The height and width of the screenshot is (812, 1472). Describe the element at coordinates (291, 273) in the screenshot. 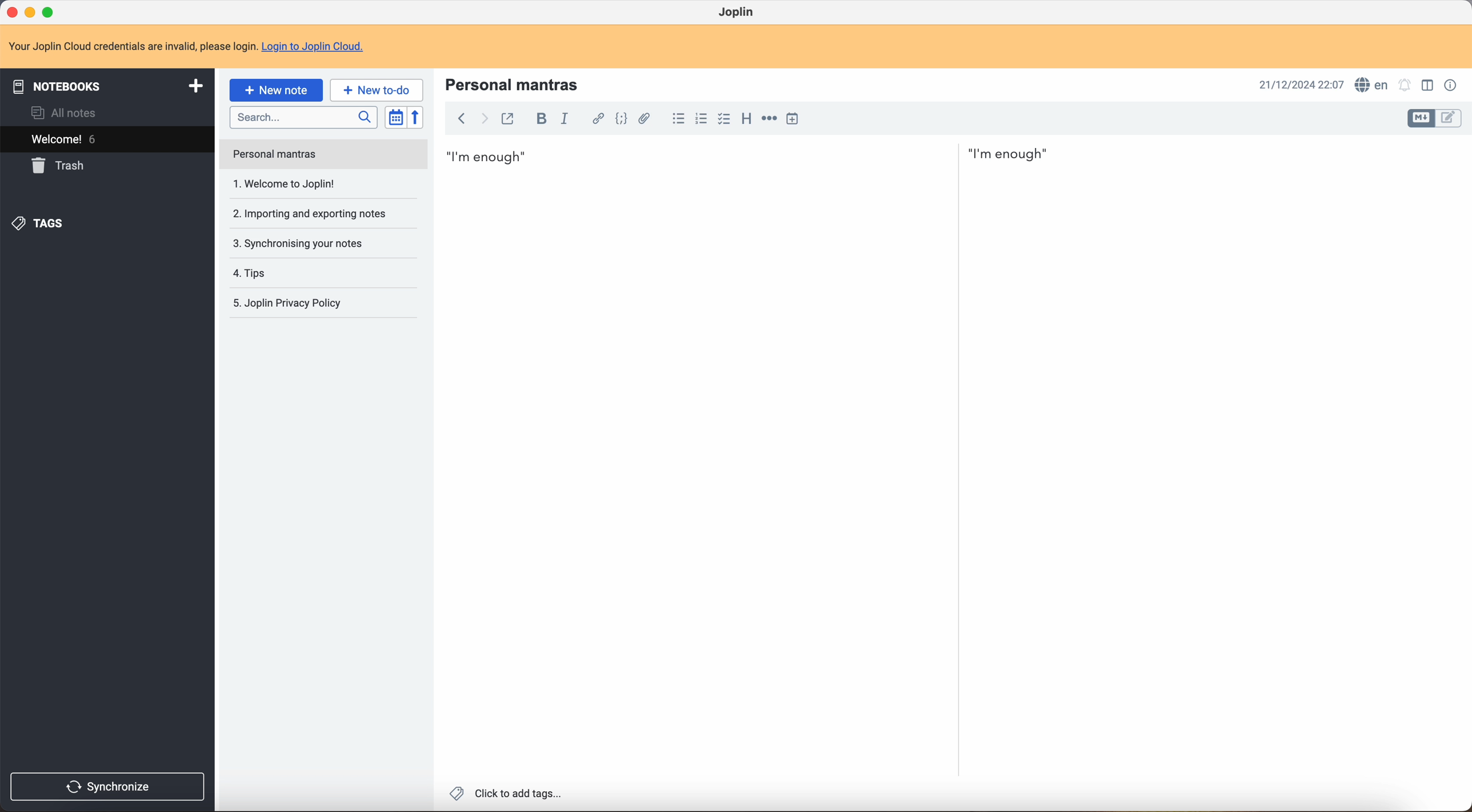

I see `Joplin privacy policy` at that location.